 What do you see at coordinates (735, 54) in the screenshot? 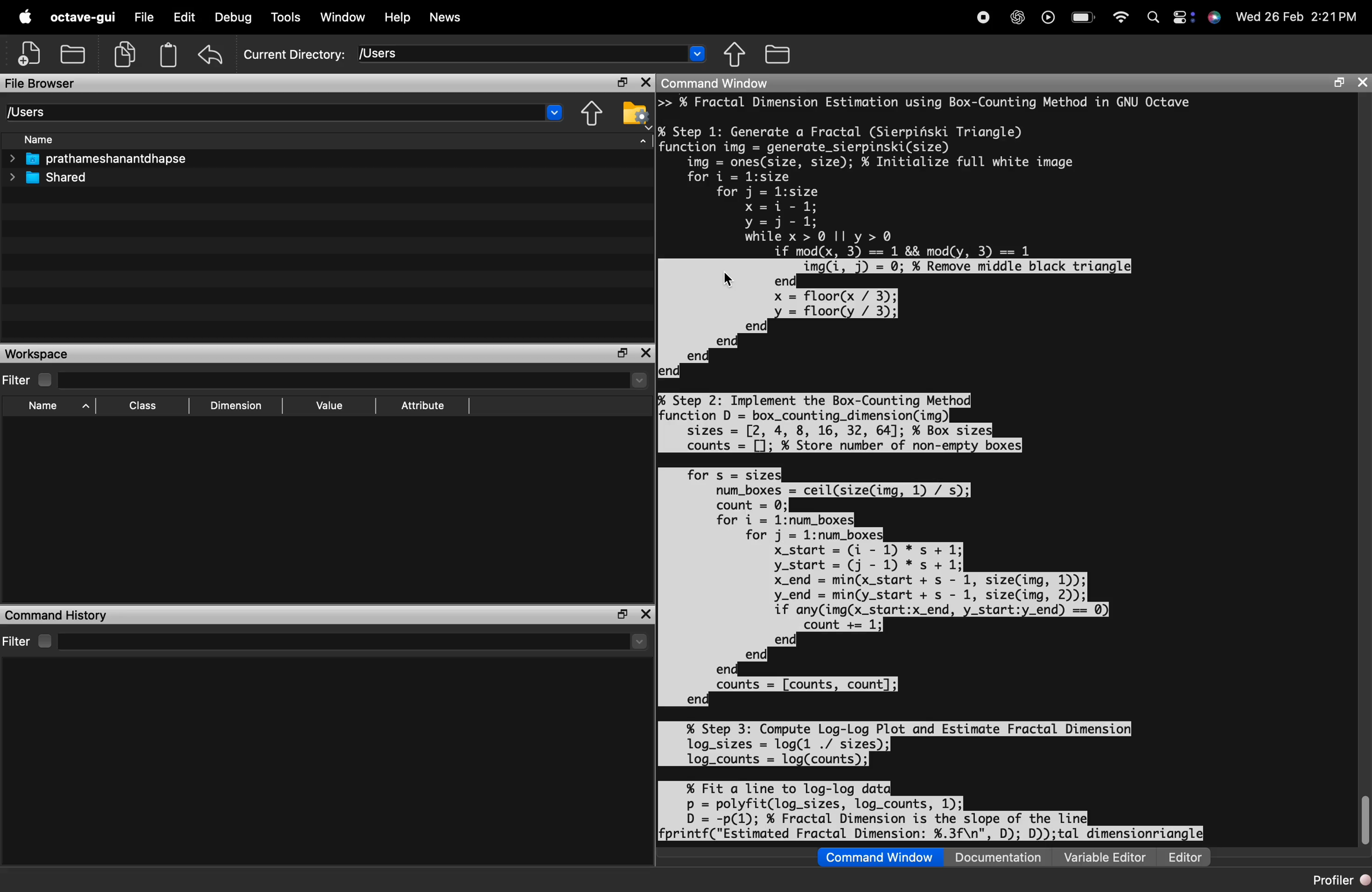
I see `one directory up` at bounding box center [735, 54].